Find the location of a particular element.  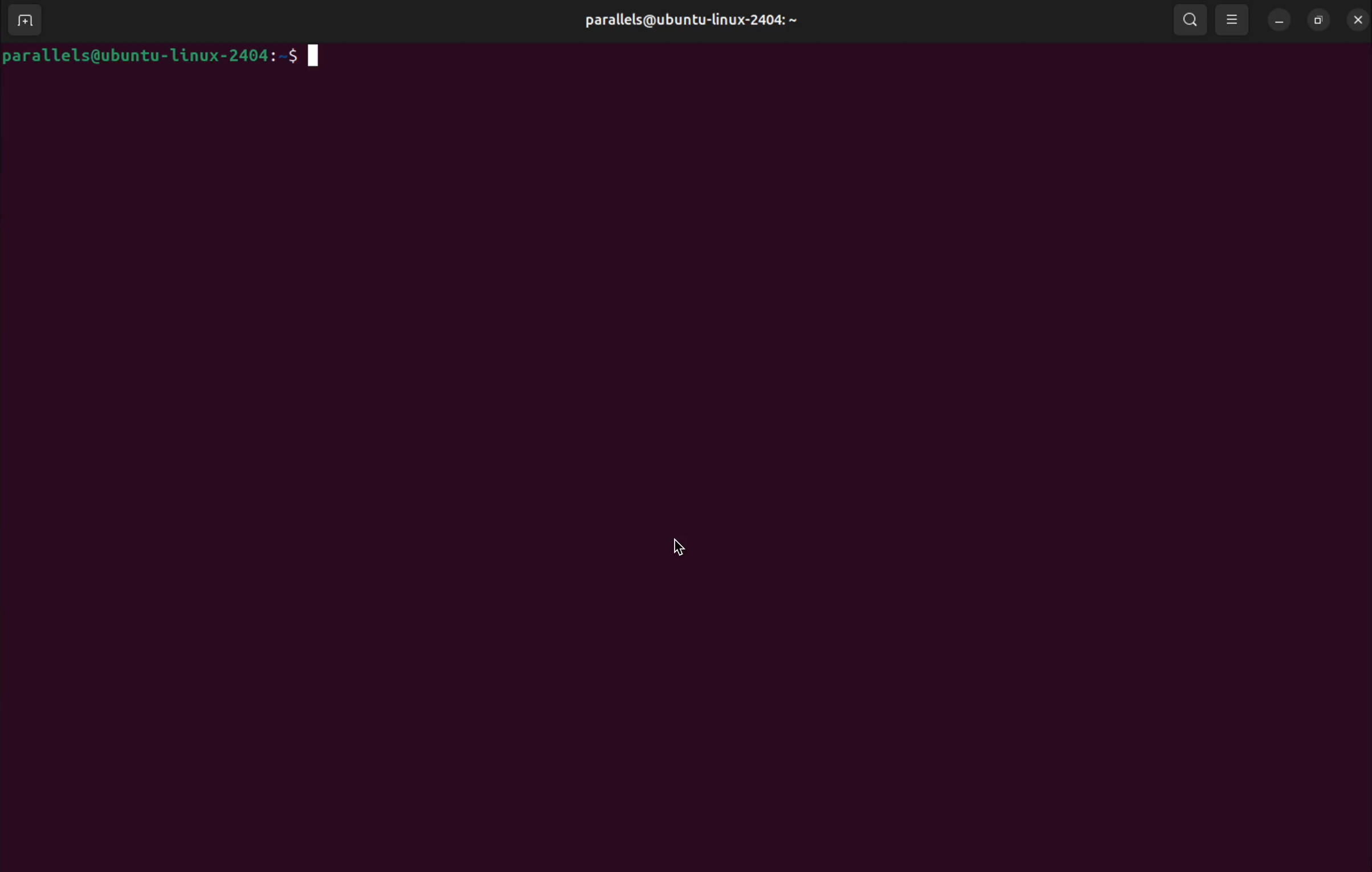

close is located at coordinates (1355, 17).